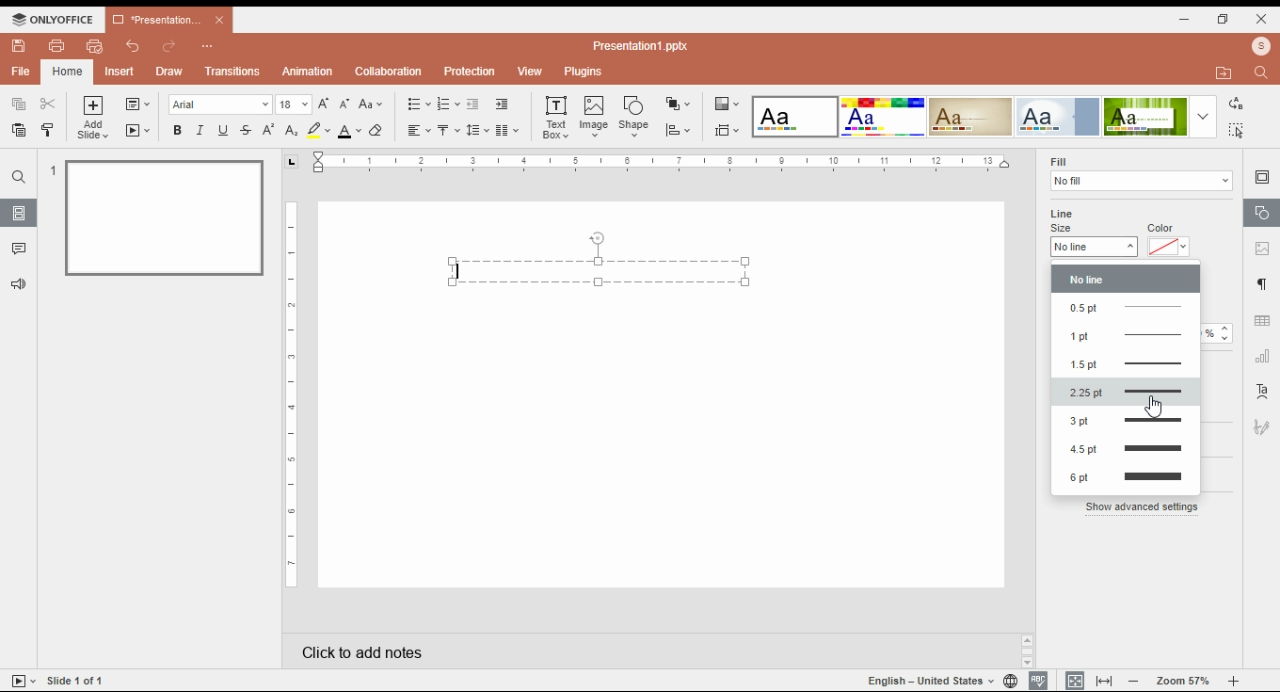  I want to click on view, so click(530, 71).